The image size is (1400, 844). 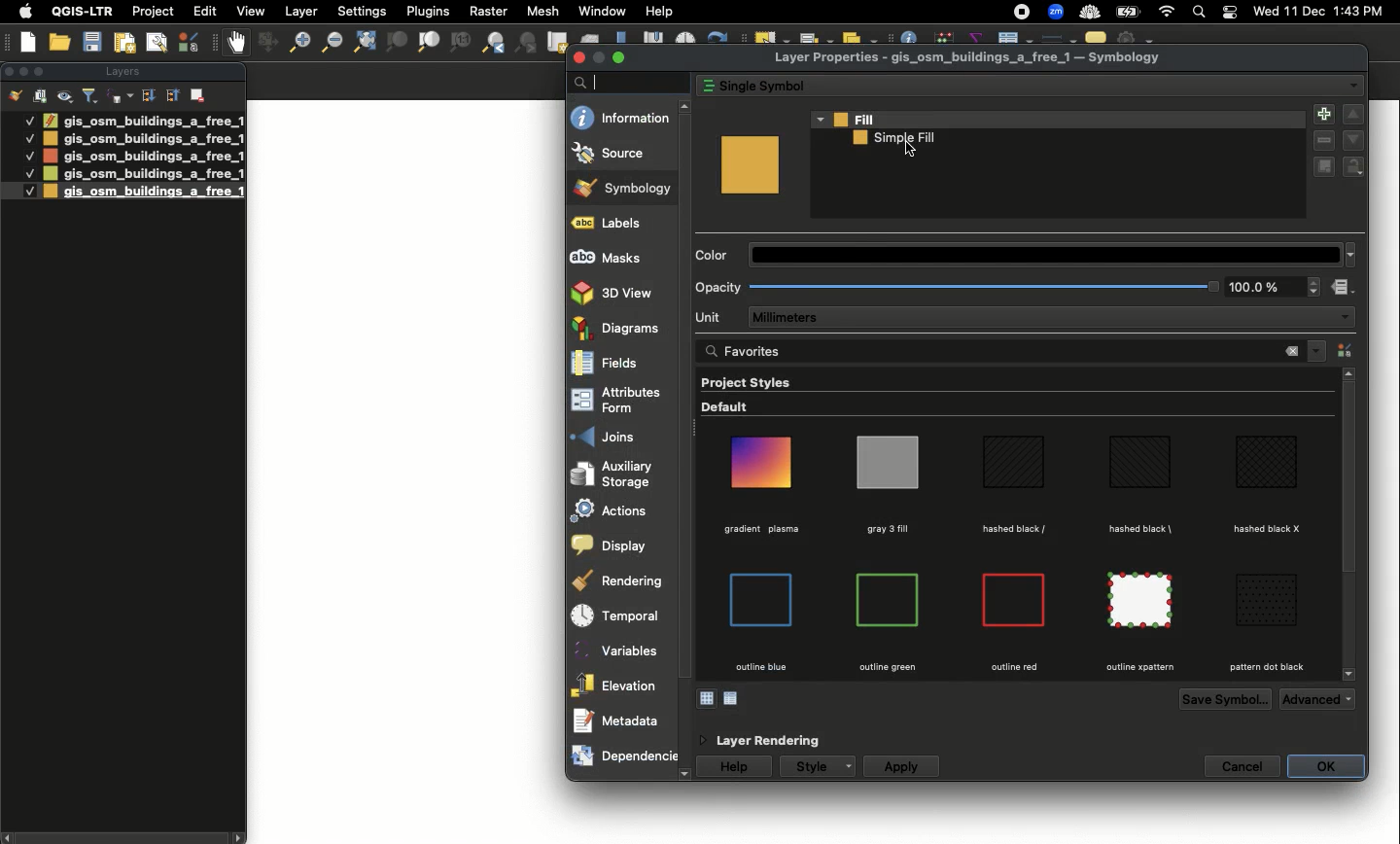 What do you see at coordinates (1324, 142) in the screenshot?
I see `Remove` at bounding box center [1324, 142].